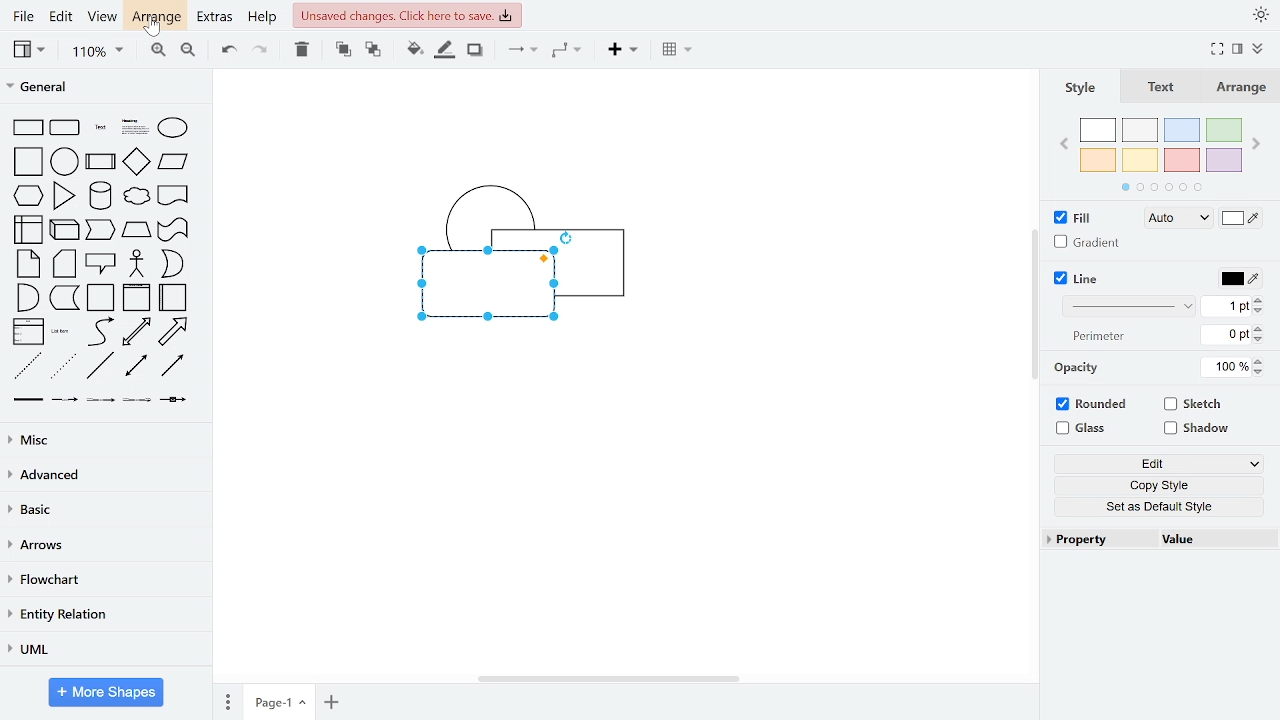 The image size is (1280, 720). What do you see at coordinates (226, 698) in the screenshot?
I see `pages` at bounding box center [226, 698].